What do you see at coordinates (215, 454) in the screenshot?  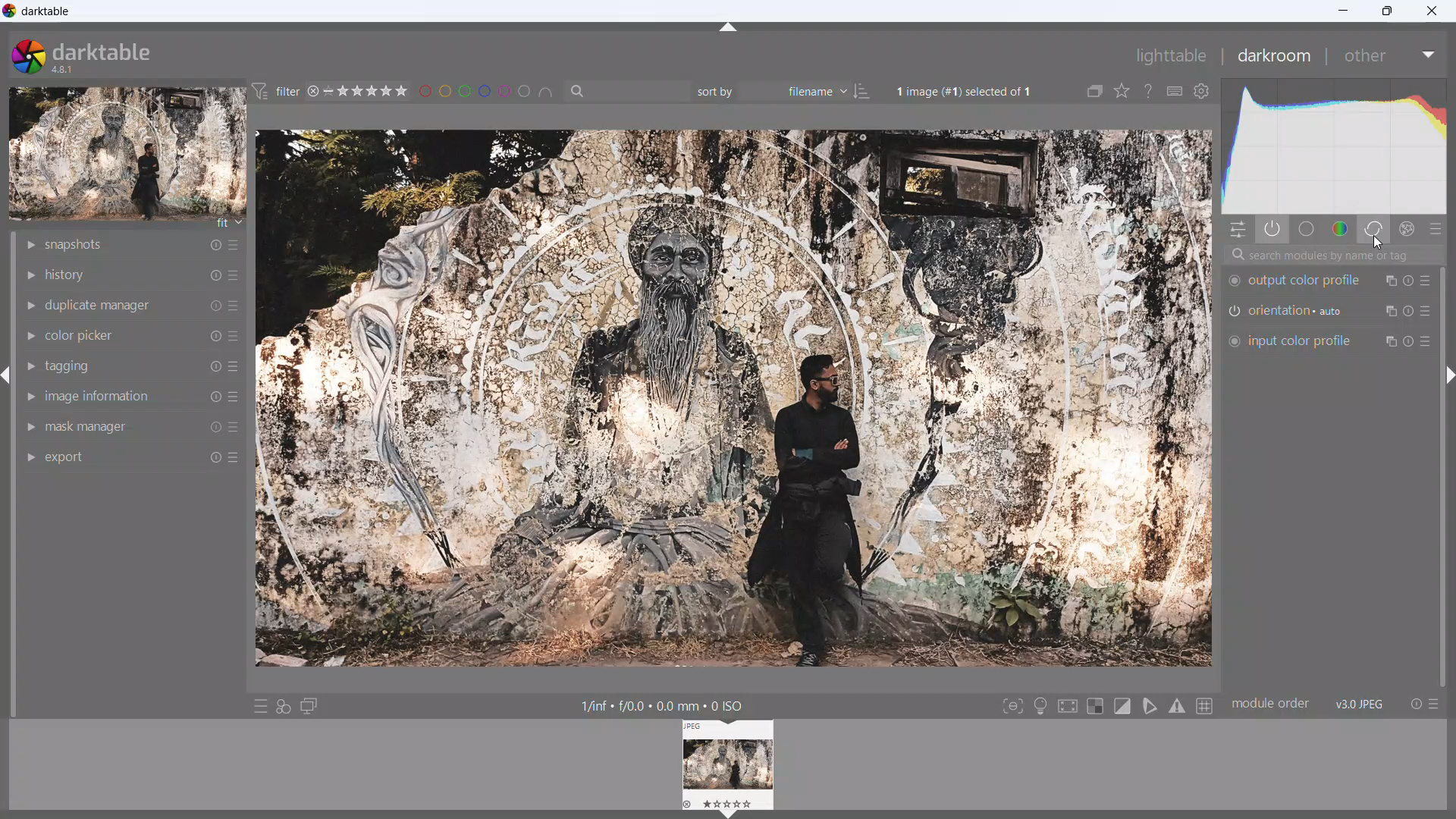 I see `reset` at bounding box center [215, 454].